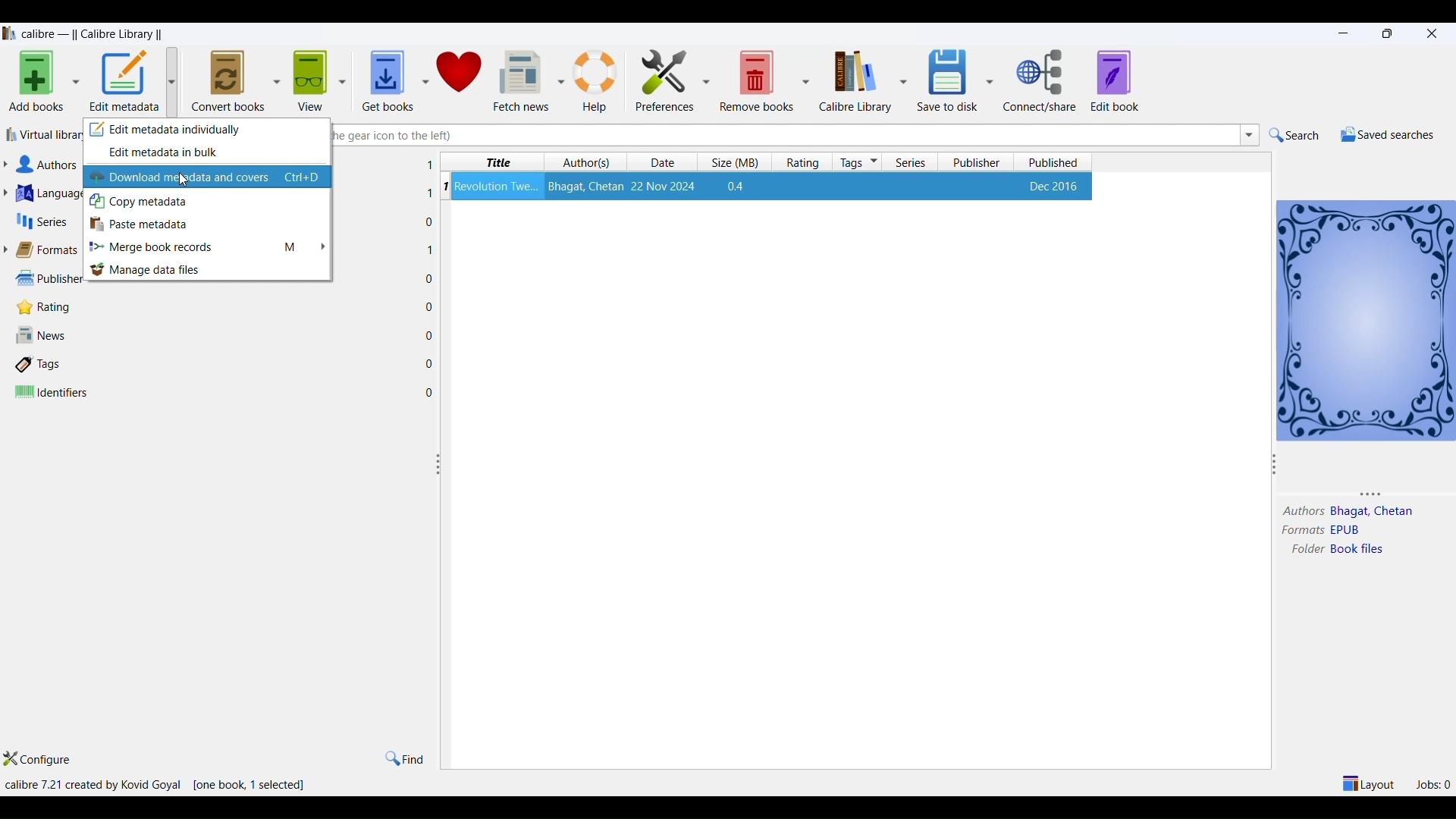 The image size is (1456, 819). I want to click on publisher, so click(43, 278).